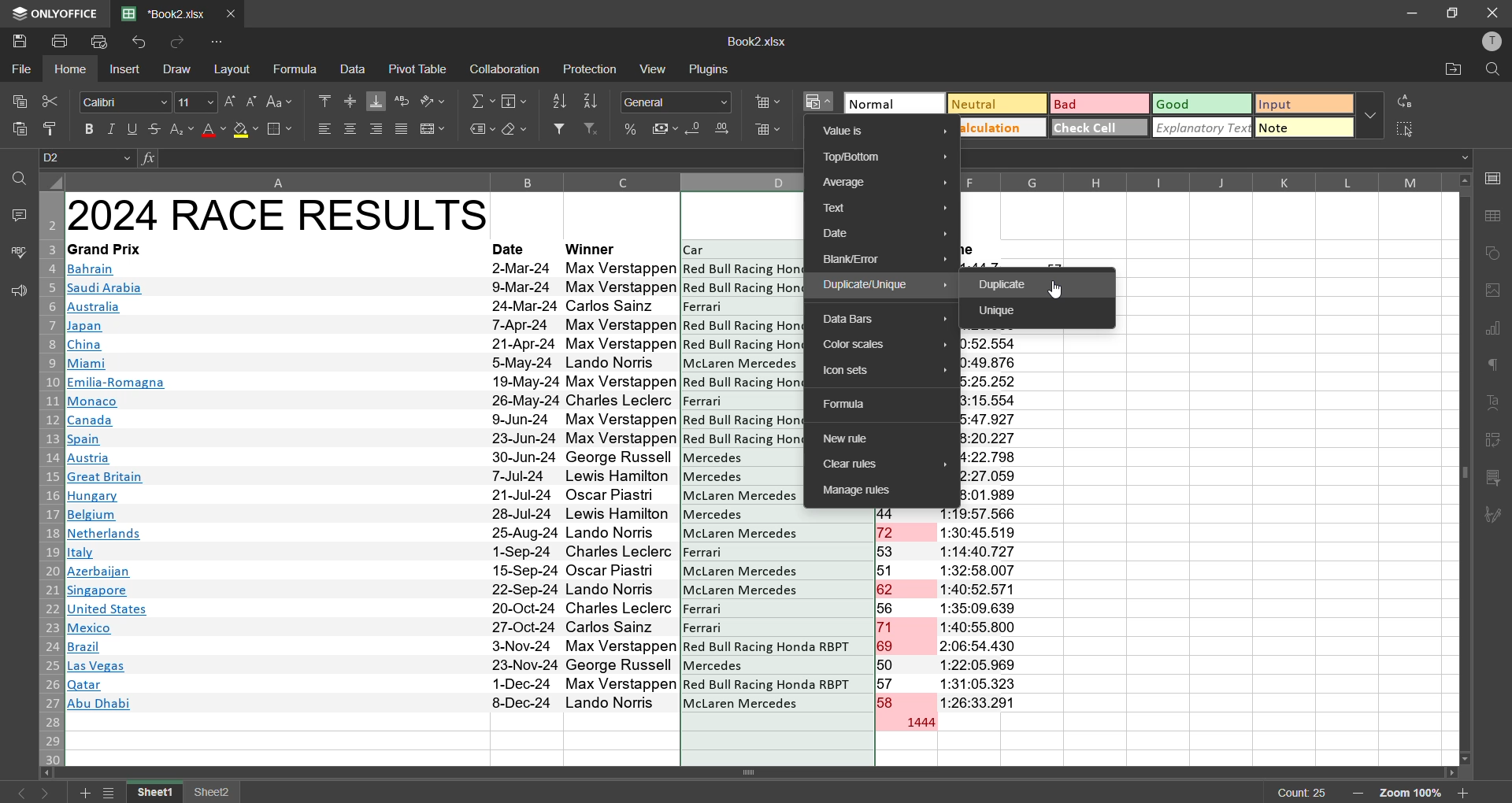 The image size is (1512, 803). Describe the element at coordinates (298, 69) in the screenshot. I see `formula` at that location.